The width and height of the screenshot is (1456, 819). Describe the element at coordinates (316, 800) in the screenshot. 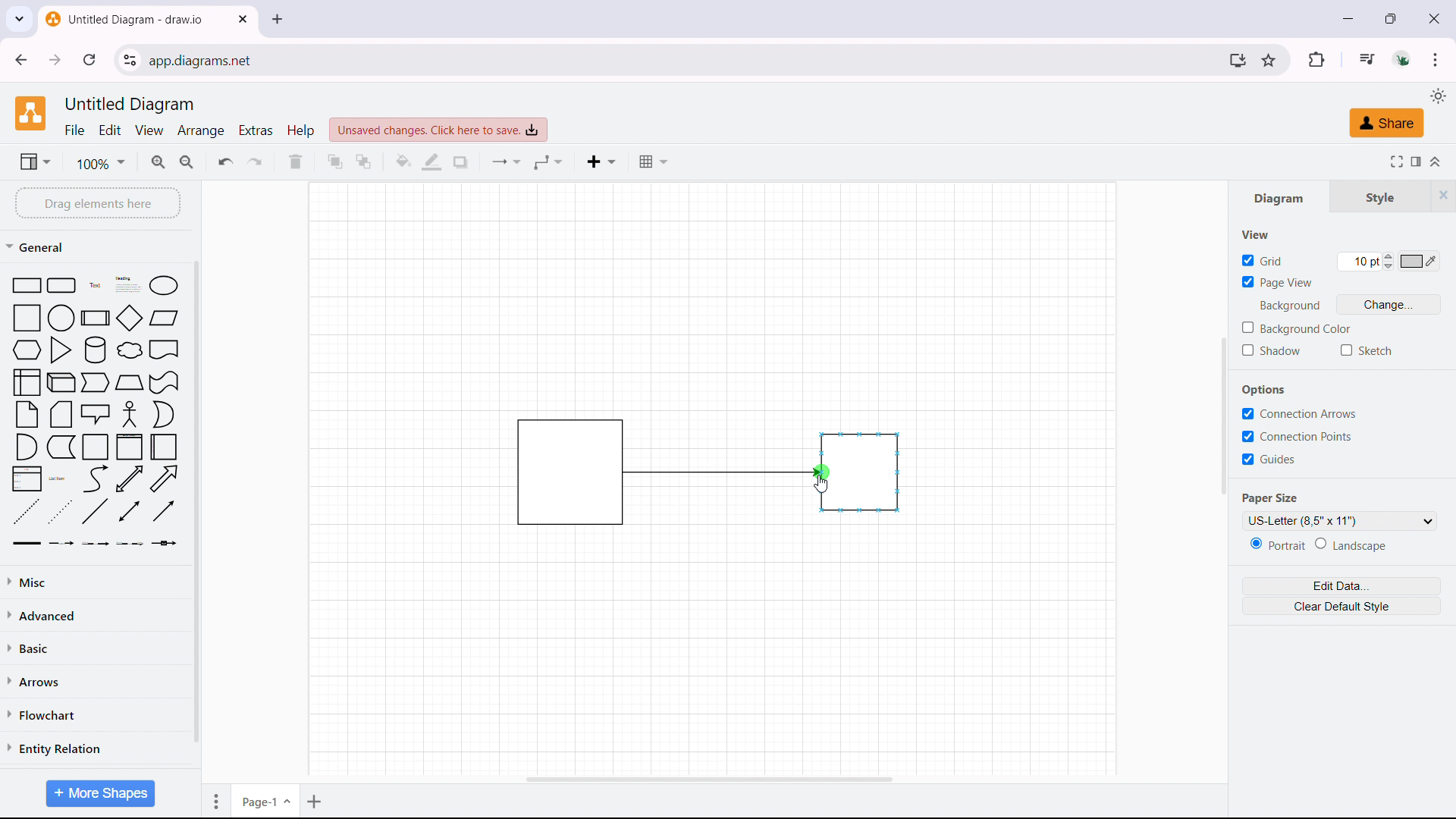

I see `add page` at that location.